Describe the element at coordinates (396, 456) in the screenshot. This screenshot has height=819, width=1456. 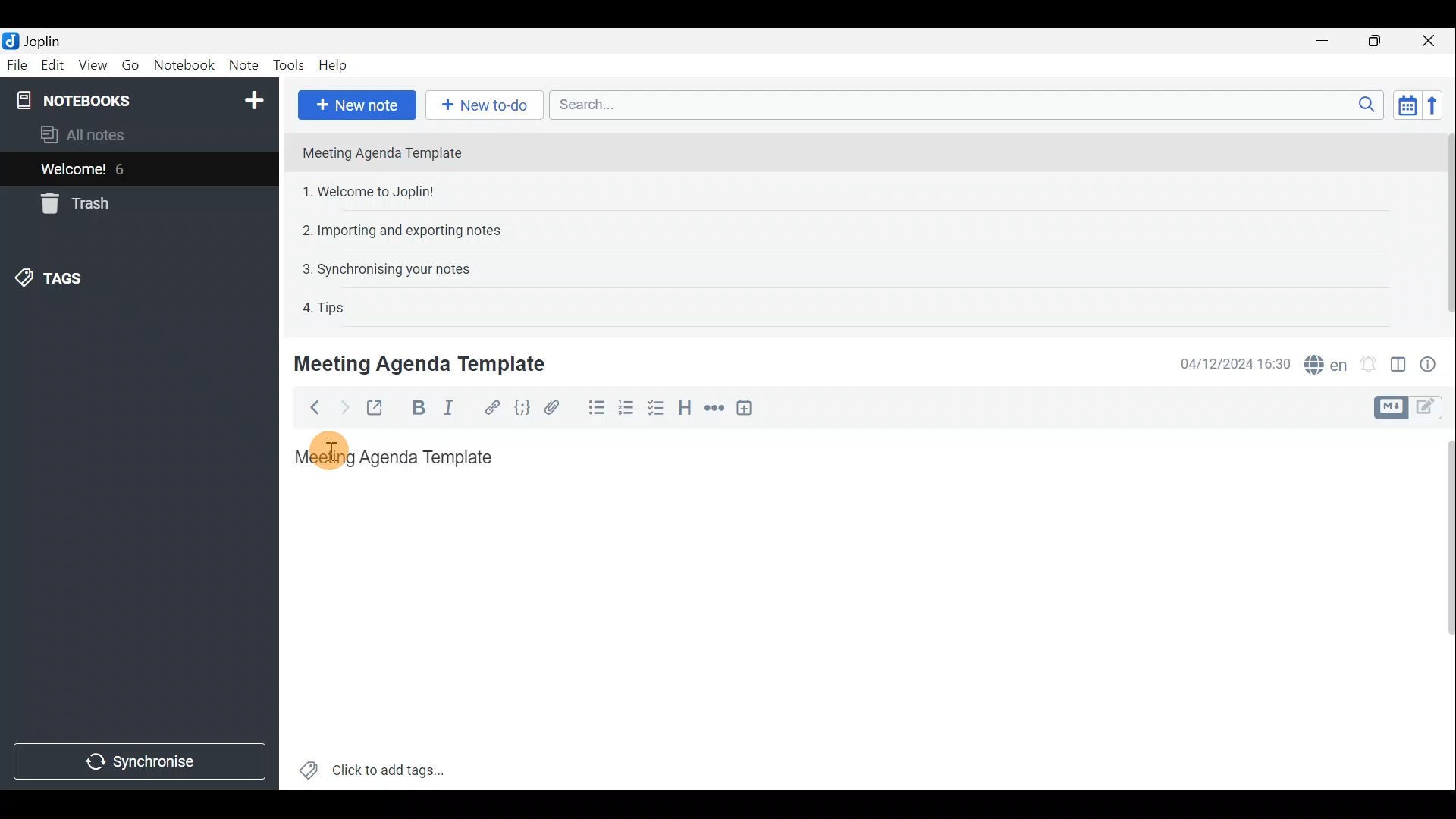
I see `Meeting Agenda Template` at that location.